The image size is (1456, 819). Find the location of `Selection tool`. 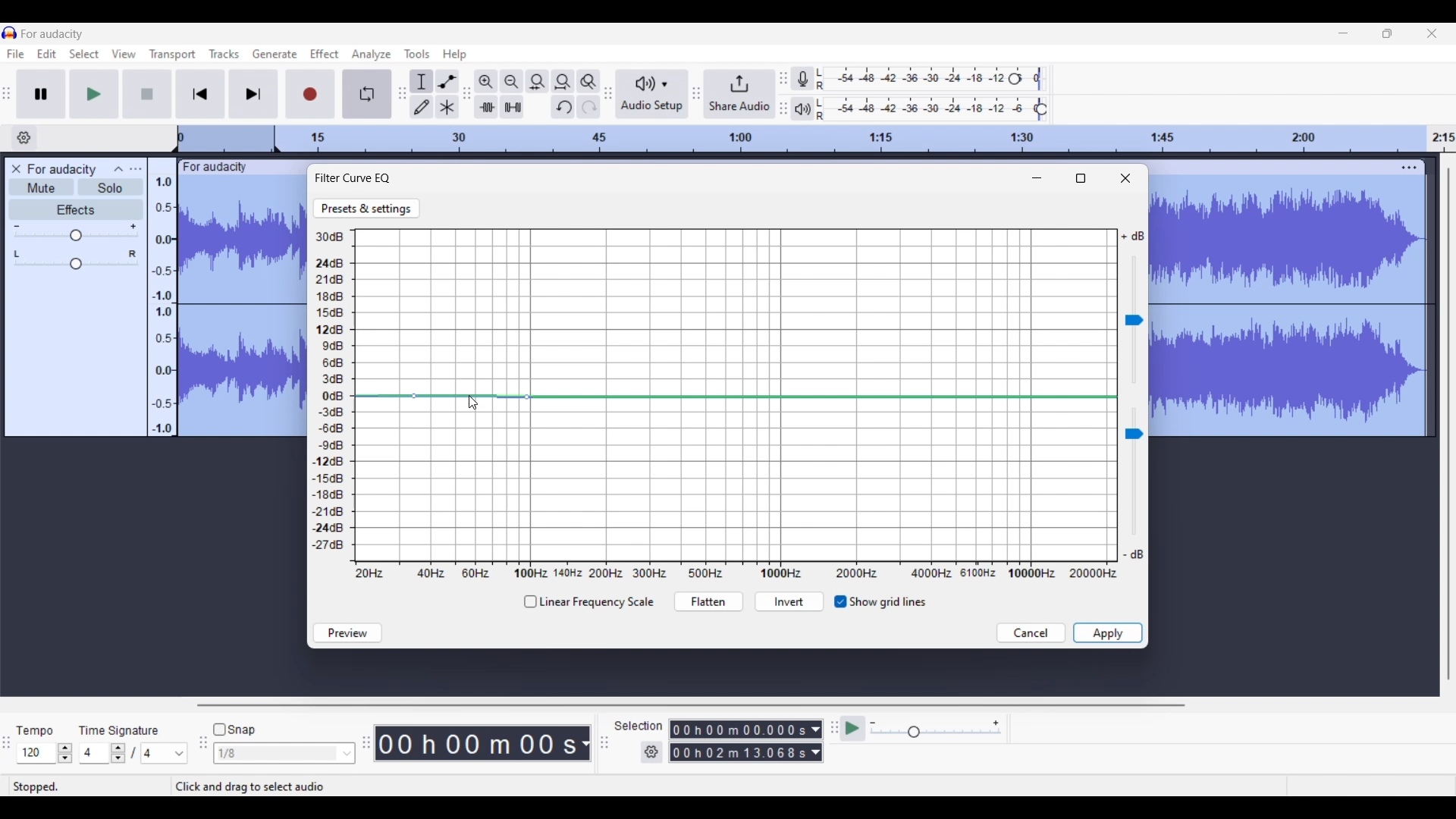

Selection tool is located at coordinates (422, 81).